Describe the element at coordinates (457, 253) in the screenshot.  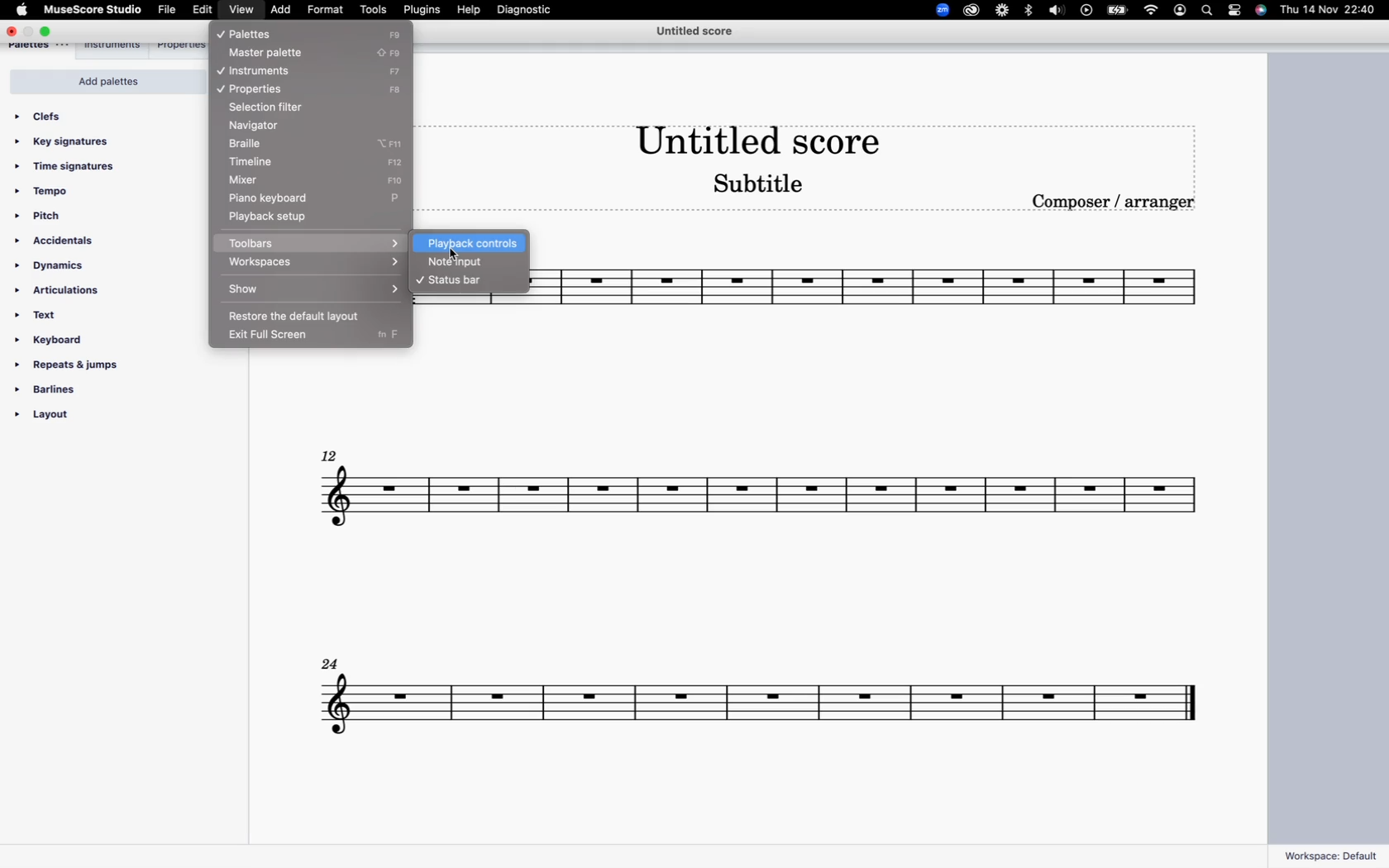
I see `cursor` at that location.